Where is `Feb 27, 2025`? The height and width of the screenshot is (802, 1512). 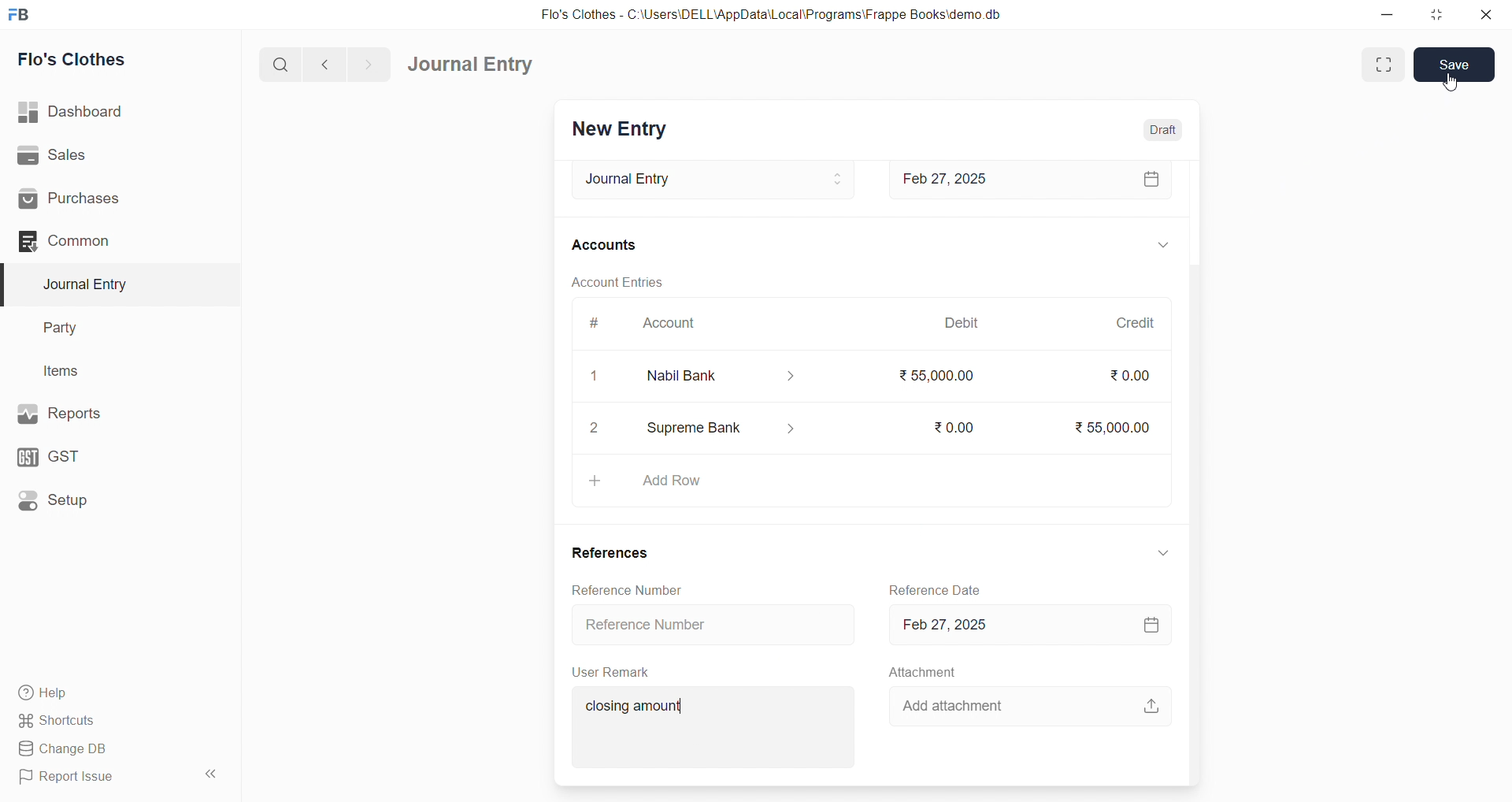 Feb 27, 2025 is located at coordinates (1032, 181).